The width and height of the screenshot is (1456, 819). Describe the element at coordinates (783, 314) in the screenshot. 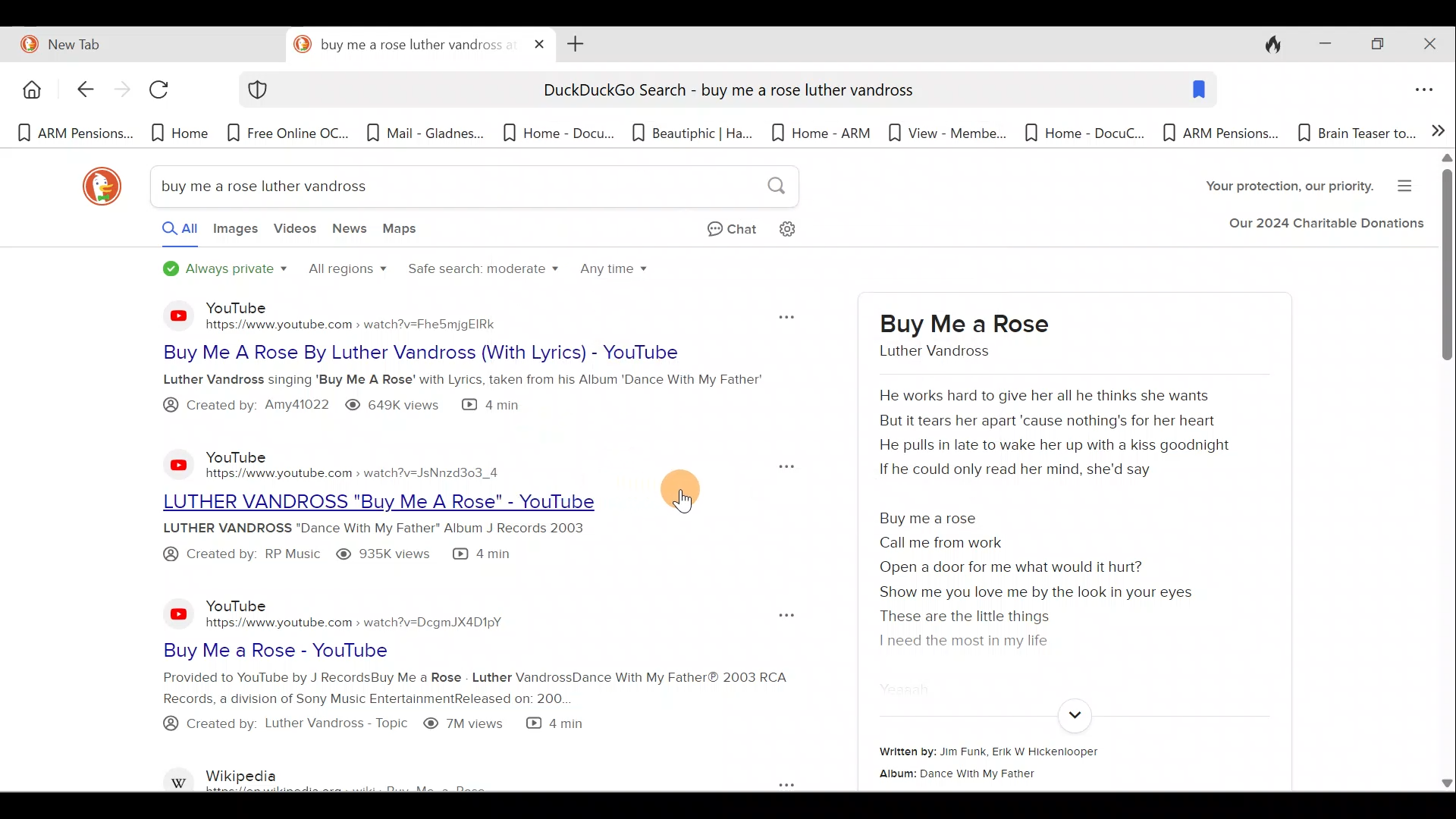

I see `Pop out` at that location.